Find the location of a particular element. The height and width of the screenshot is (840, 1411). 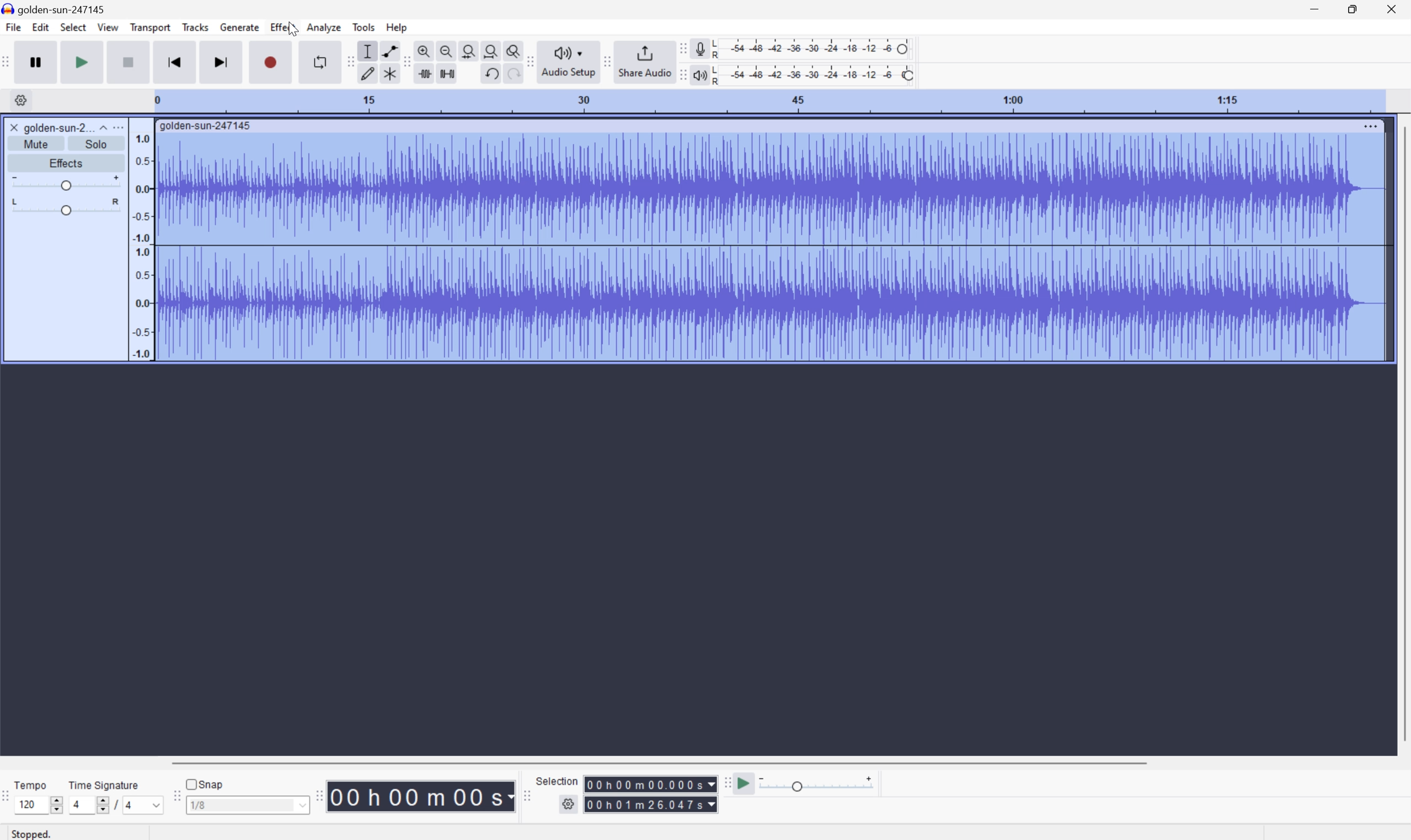

Trim audio outside selection is located at coordinates (427, 74).